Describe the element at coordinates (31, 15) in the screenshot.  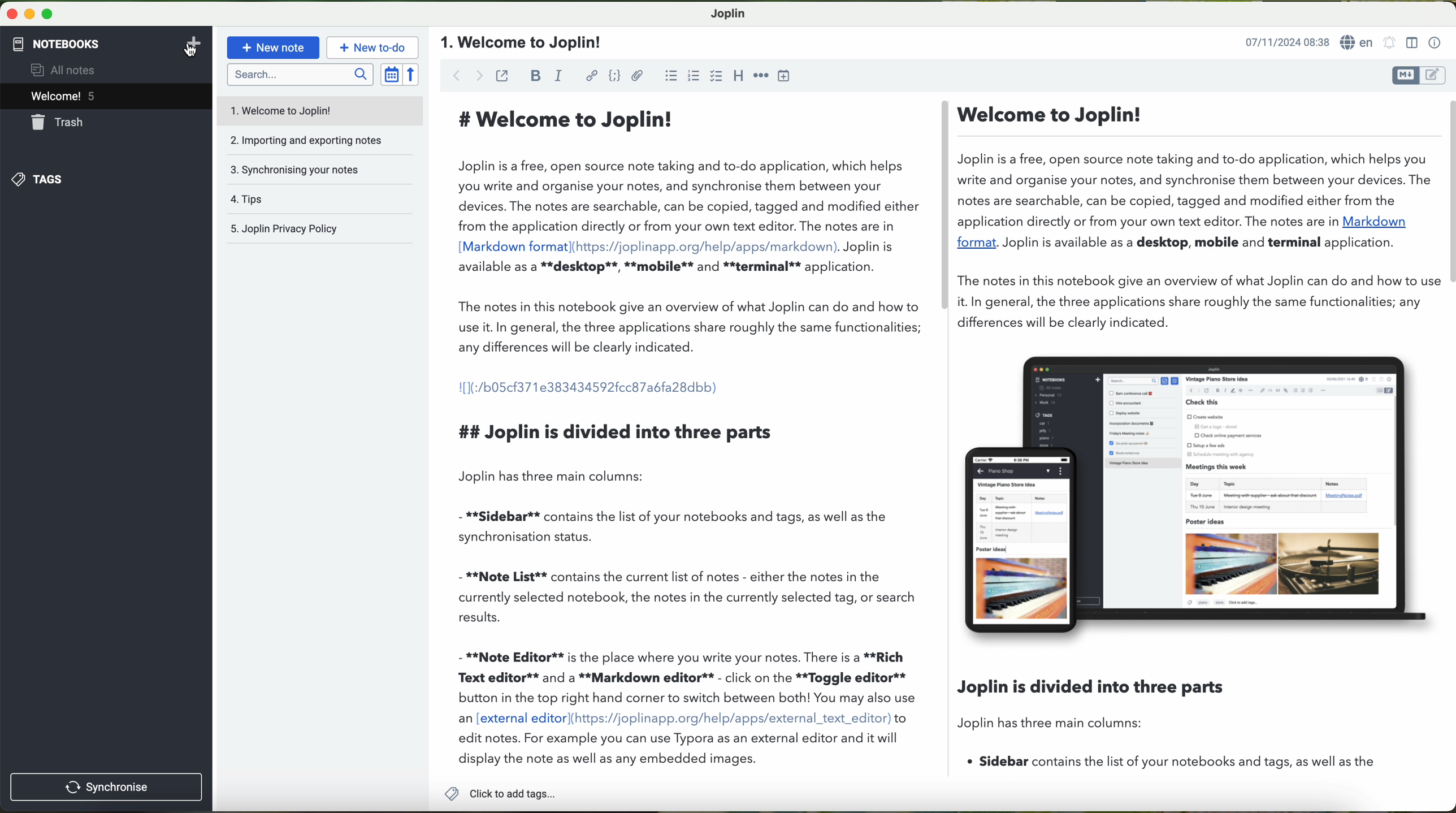
I see `minimize` at that location.